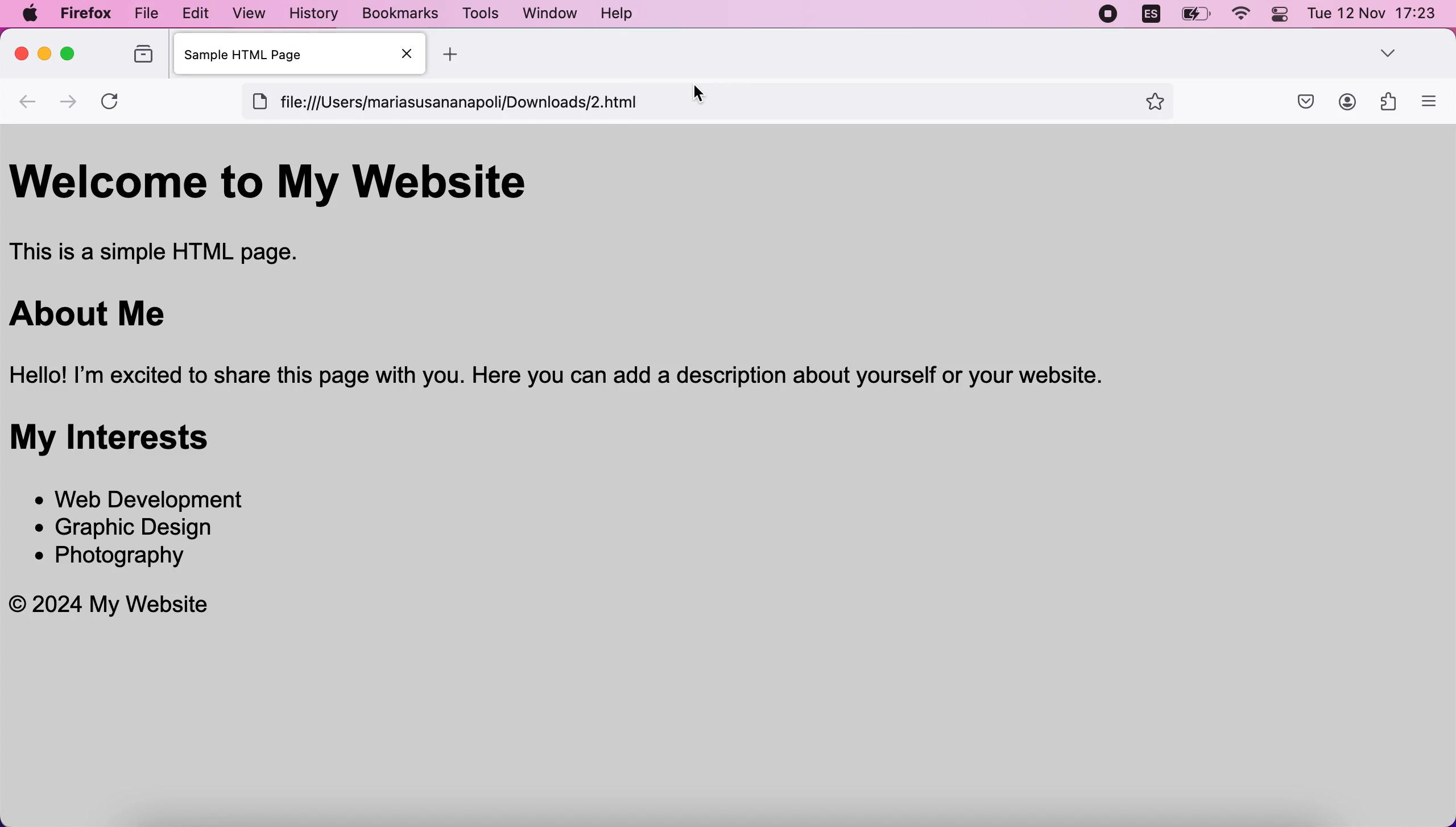 Image resolution: width=1456 pixels, height=827 pixels. Describe the element at coordinates (43, 57) in the screenshot. I see `minimize` at that location.